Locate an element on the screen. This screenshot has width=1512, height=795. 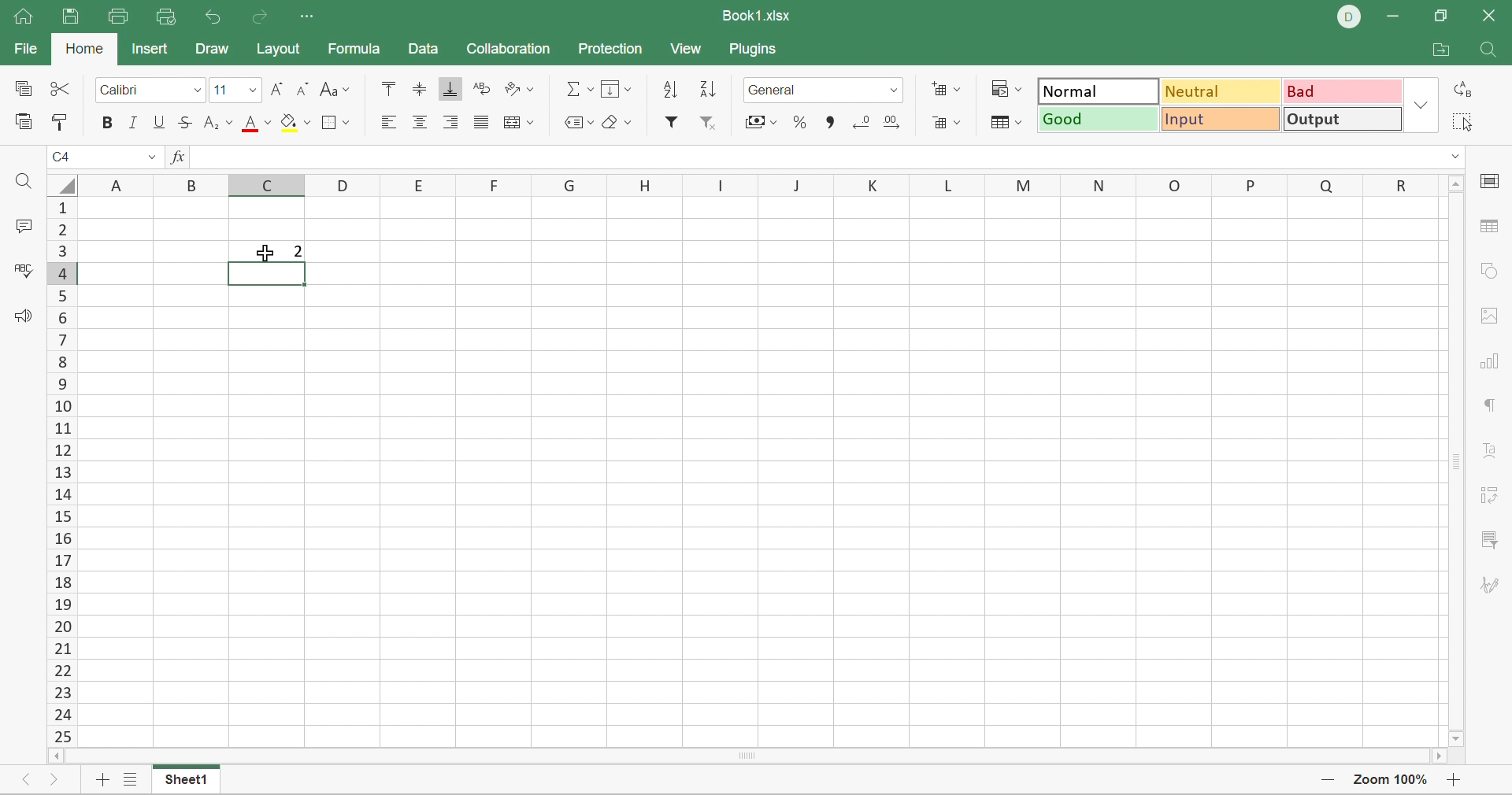
Increase decimal is located at coordinates (894, 120).